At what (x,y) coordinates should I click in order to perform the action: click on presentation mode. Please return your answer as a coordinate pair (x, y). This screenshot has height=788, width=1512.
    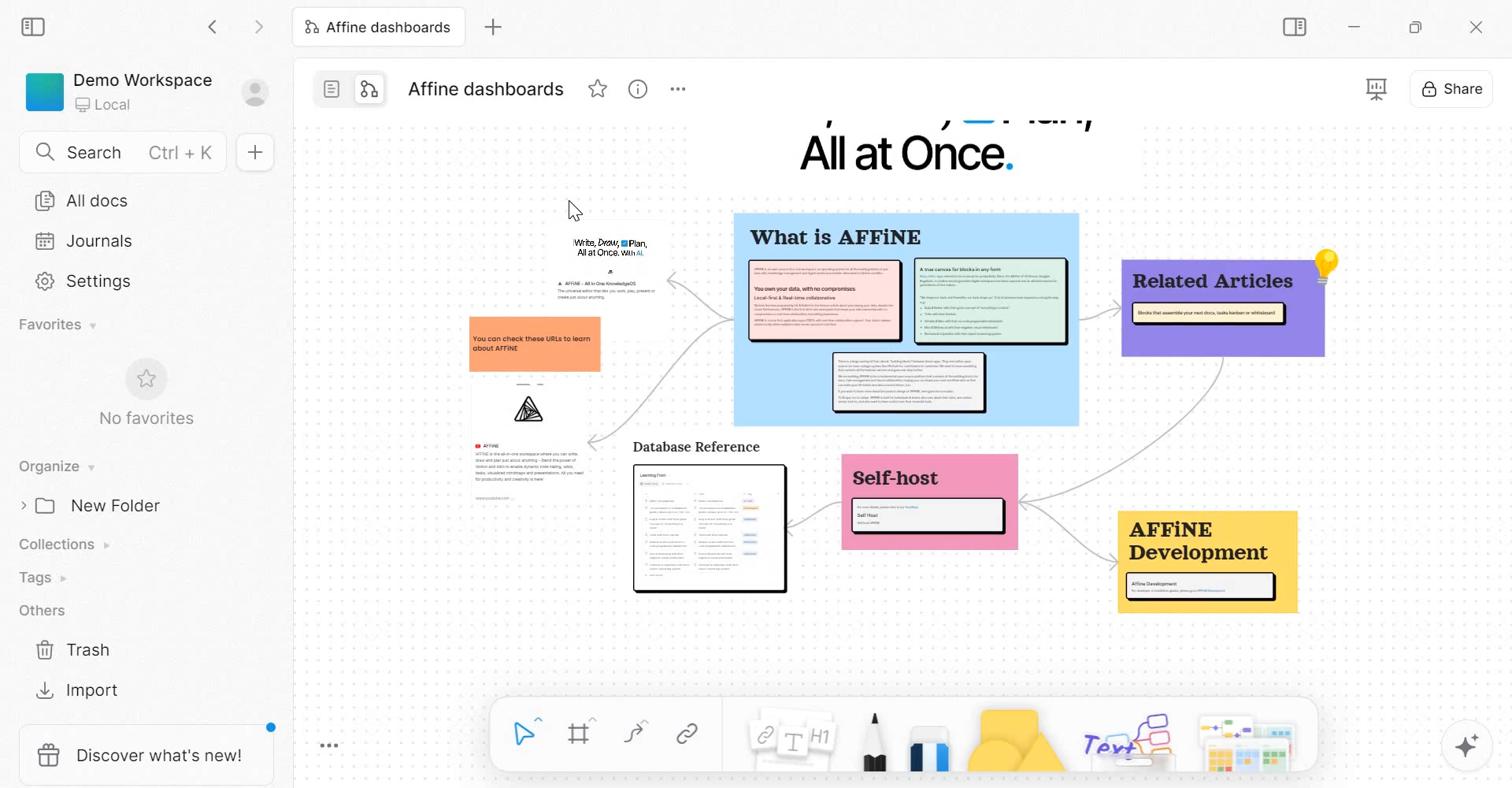
    Looking at the image, I should click on (1377, 88).